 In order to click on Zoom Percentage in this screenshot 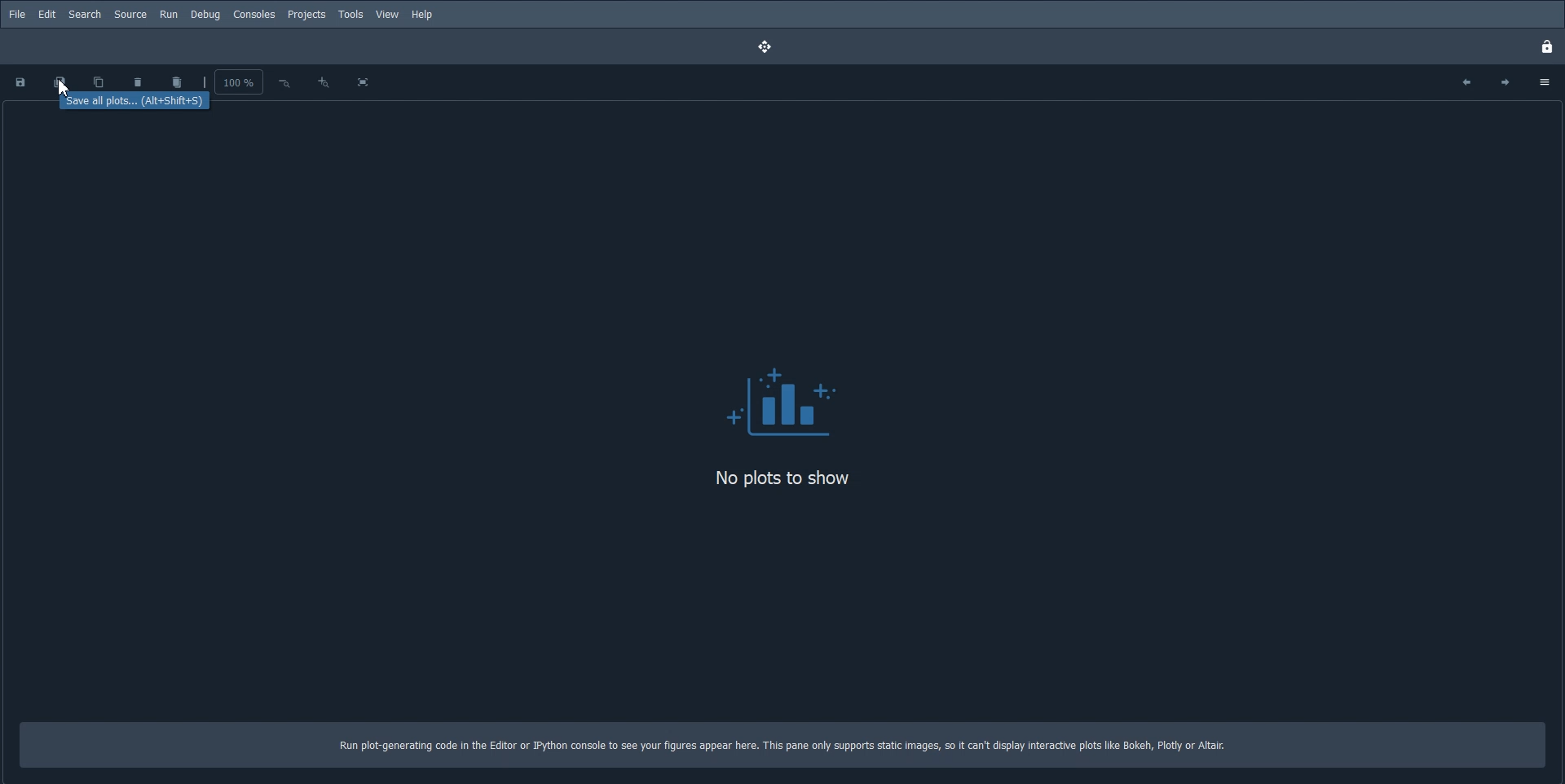, I will do `click(230, 77)`.